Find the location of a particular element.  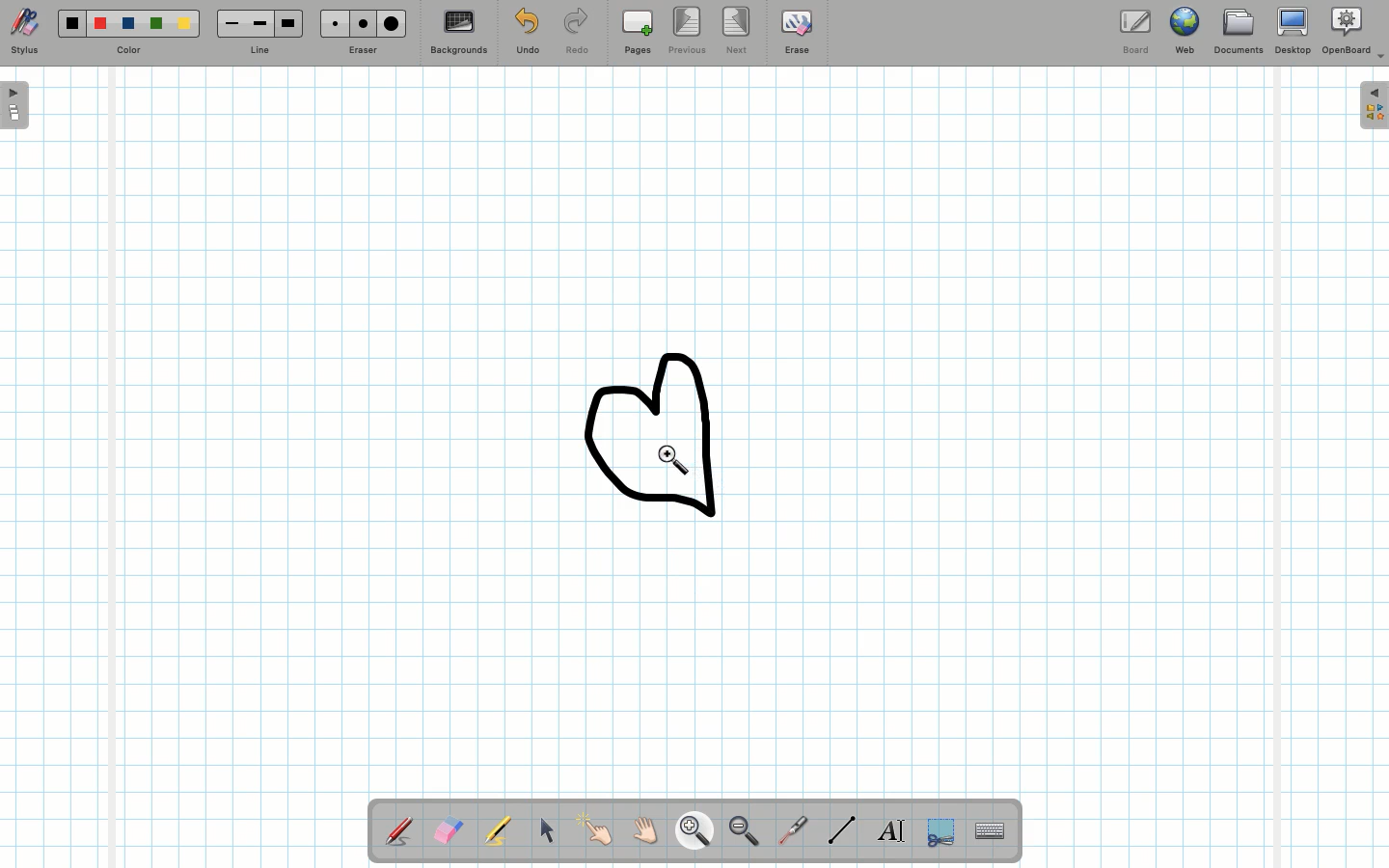

OpenBoard is located at coordinates (1353, 34).